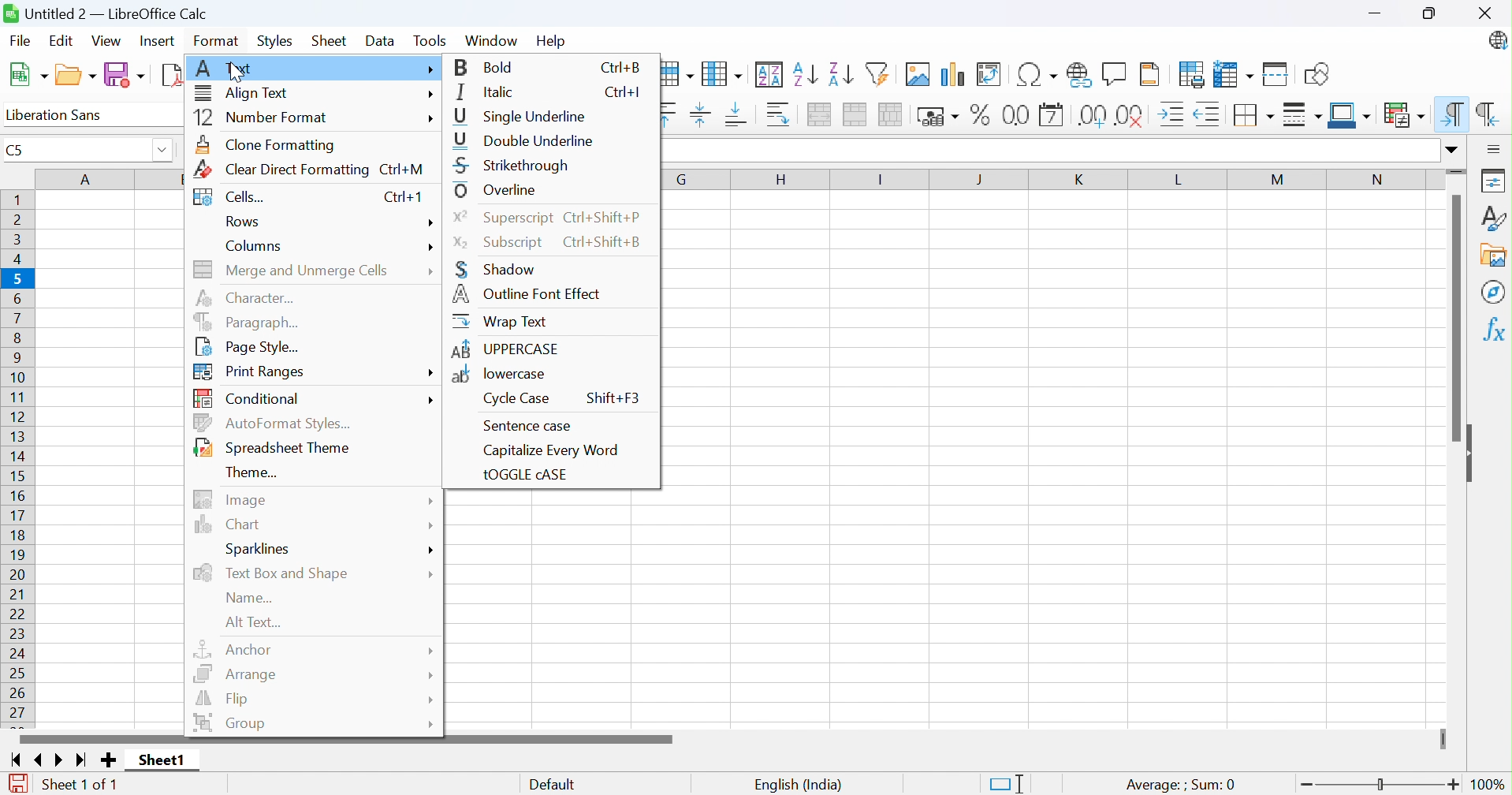 The width and height of the screenshot is (1512, 795). What do you see at coordinates (228, 195) in the screenshot?
I see `Cells` at bounding box center [228, 195].